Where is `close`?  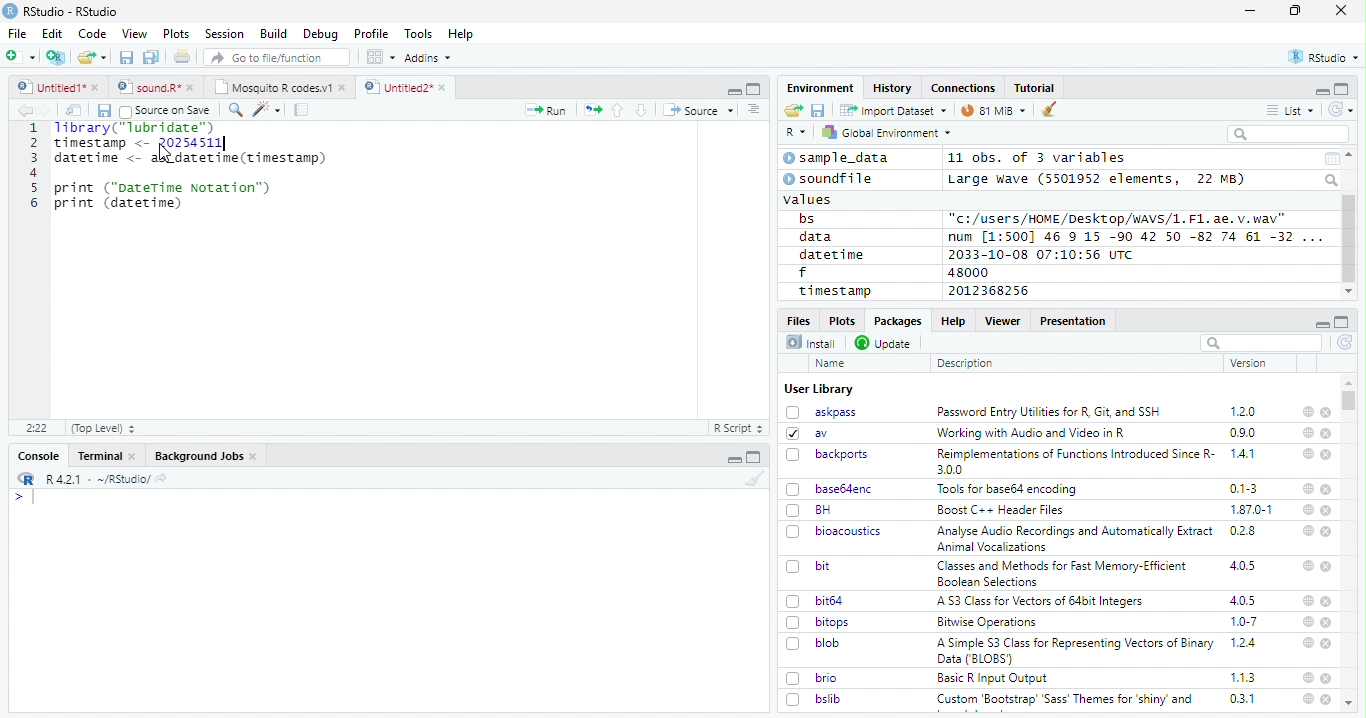
close is located at coordinates (1328, 602).